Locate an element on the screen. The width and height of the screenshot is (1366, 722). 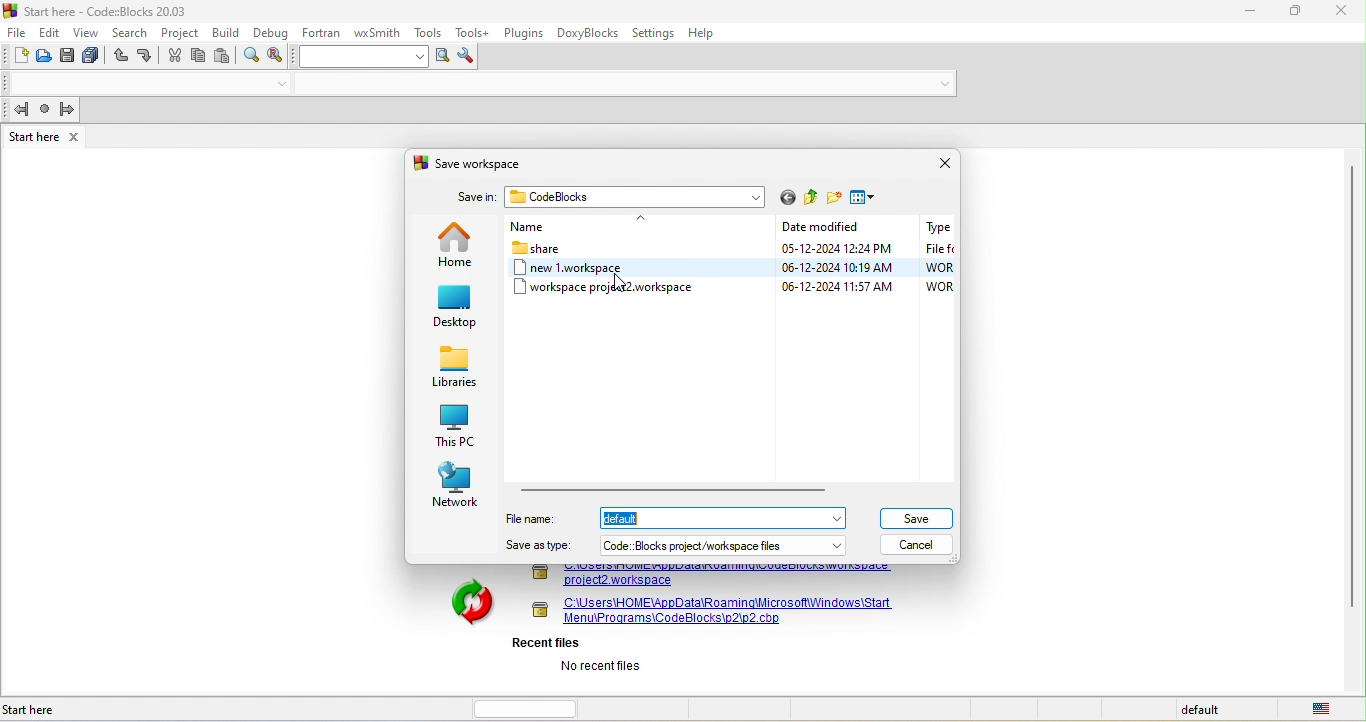
Type is located at coordinates (937, 227).